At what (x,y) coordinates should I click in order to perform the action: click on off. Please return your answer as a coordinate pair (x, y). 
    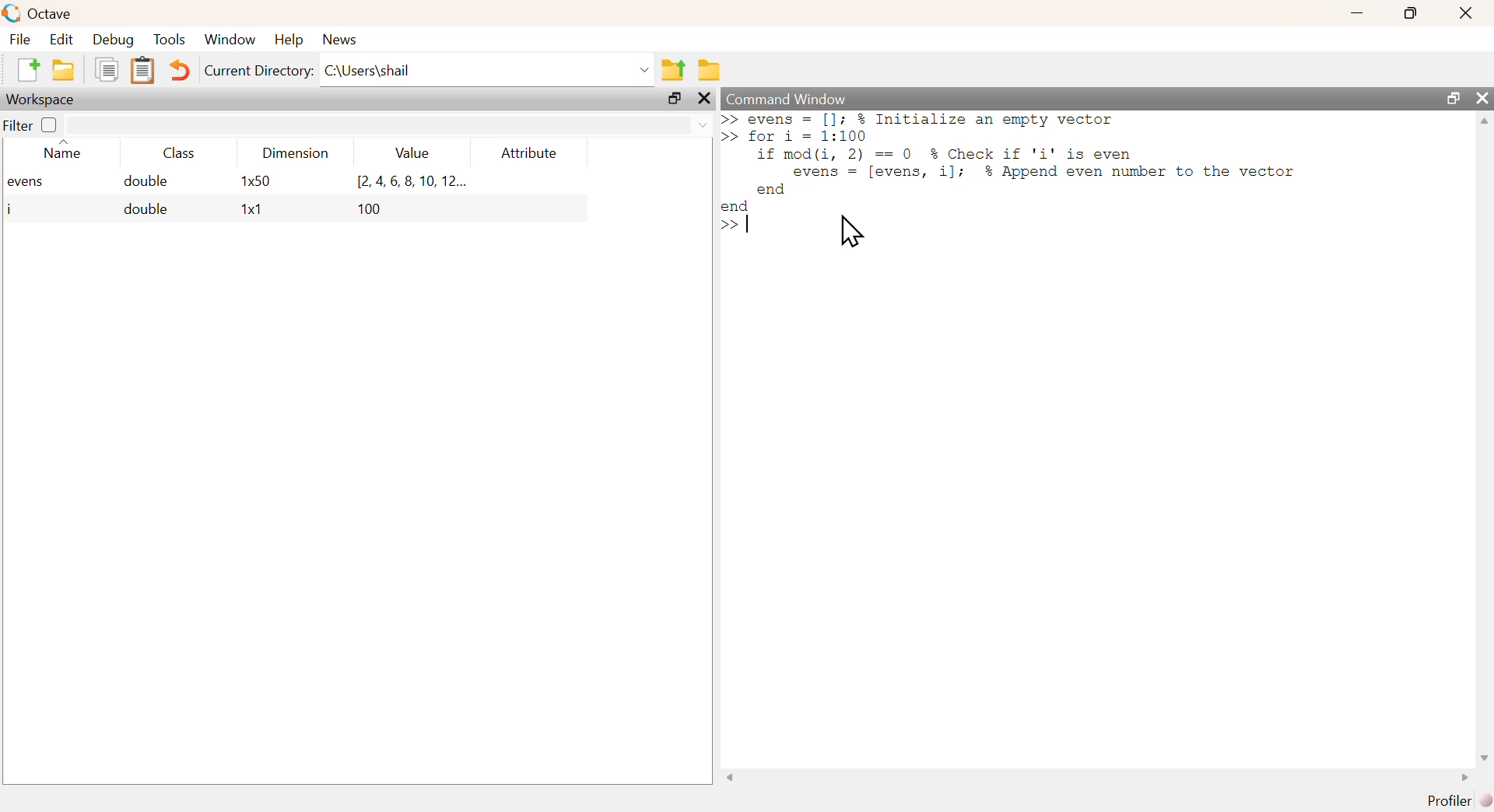
    Looking at the image, I should click on (50, 124).